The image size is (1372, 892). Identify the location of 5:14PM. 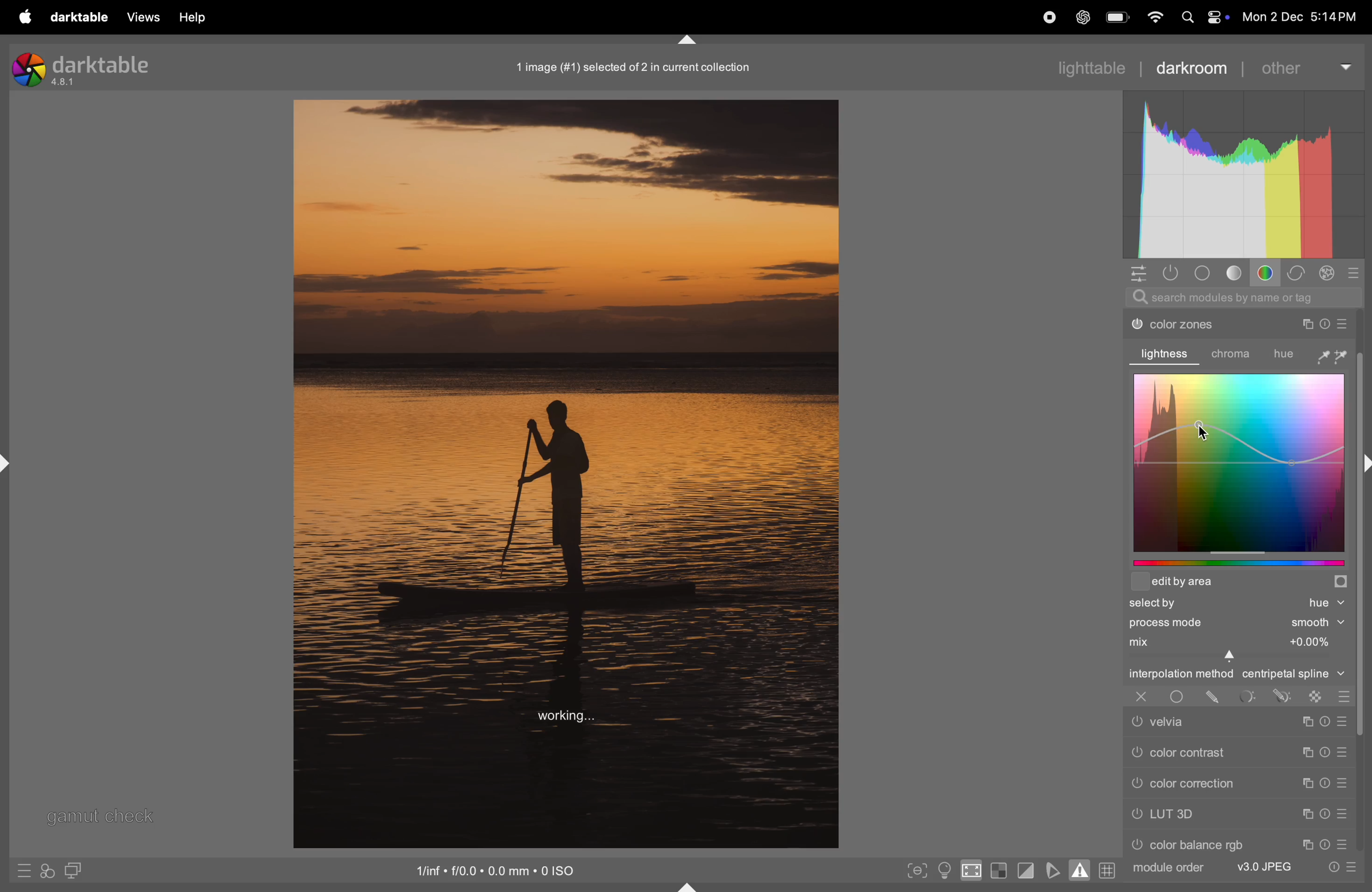
(1333, 17).